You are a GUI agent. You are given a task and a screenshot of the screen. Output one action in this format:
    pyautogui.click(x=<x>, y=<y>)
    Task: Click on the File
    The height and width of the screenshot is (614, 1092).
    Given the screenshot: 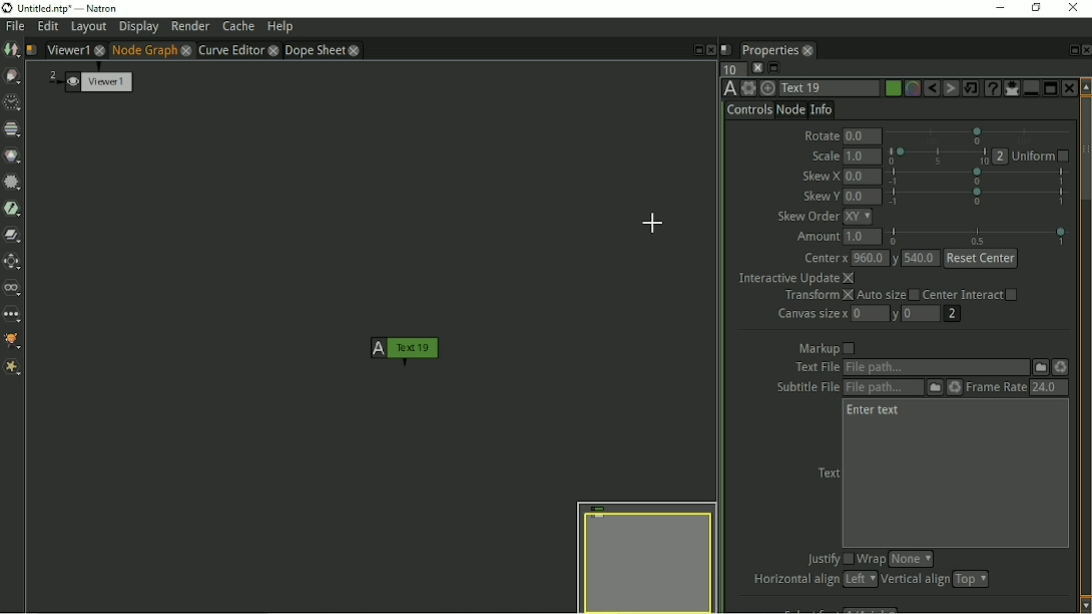 What is the action you would take?
    pyautogui.click(x=1040, y=367)
    